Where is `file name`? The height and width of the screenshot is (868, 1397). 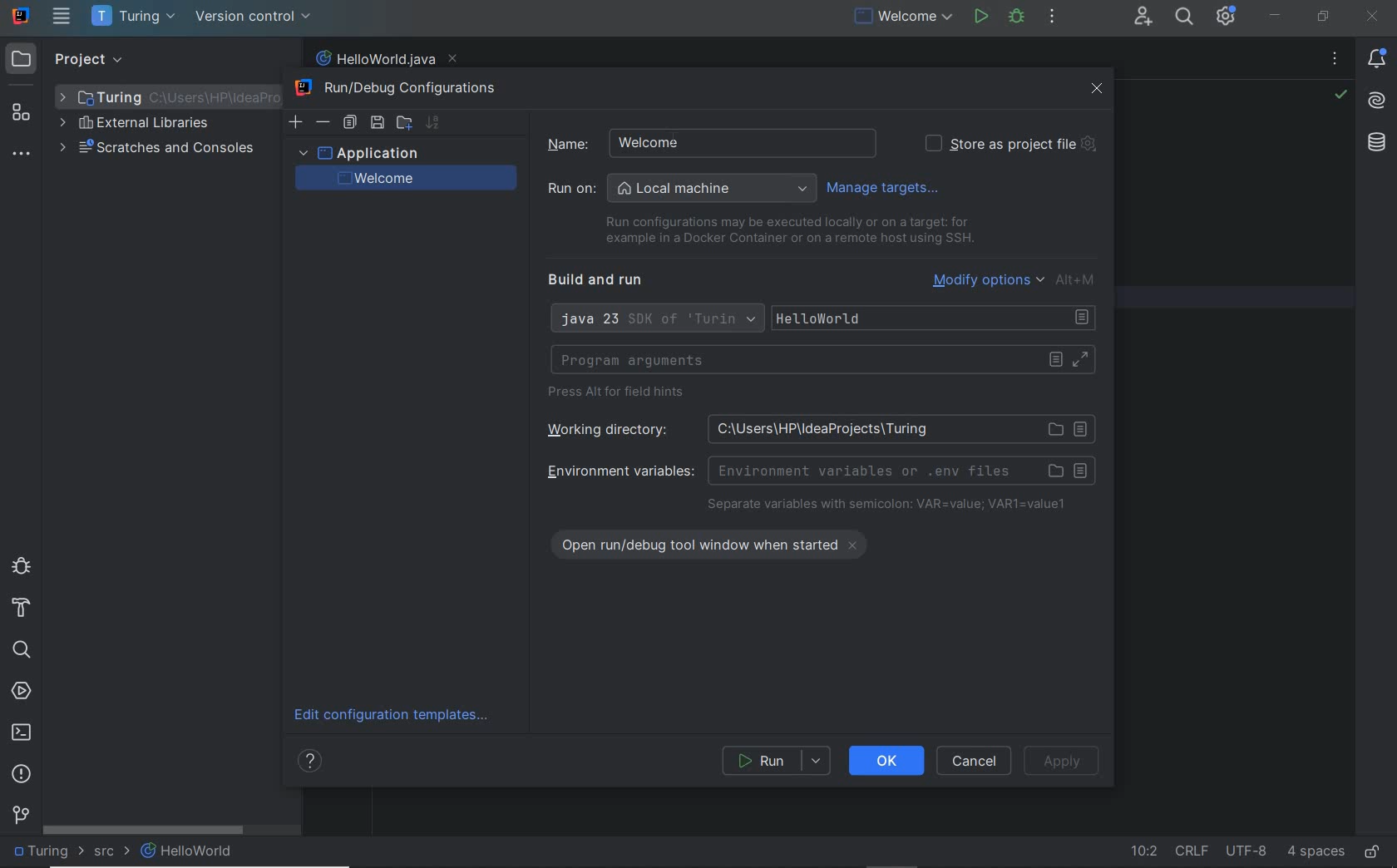 file name is located at coordinates (385, 59).